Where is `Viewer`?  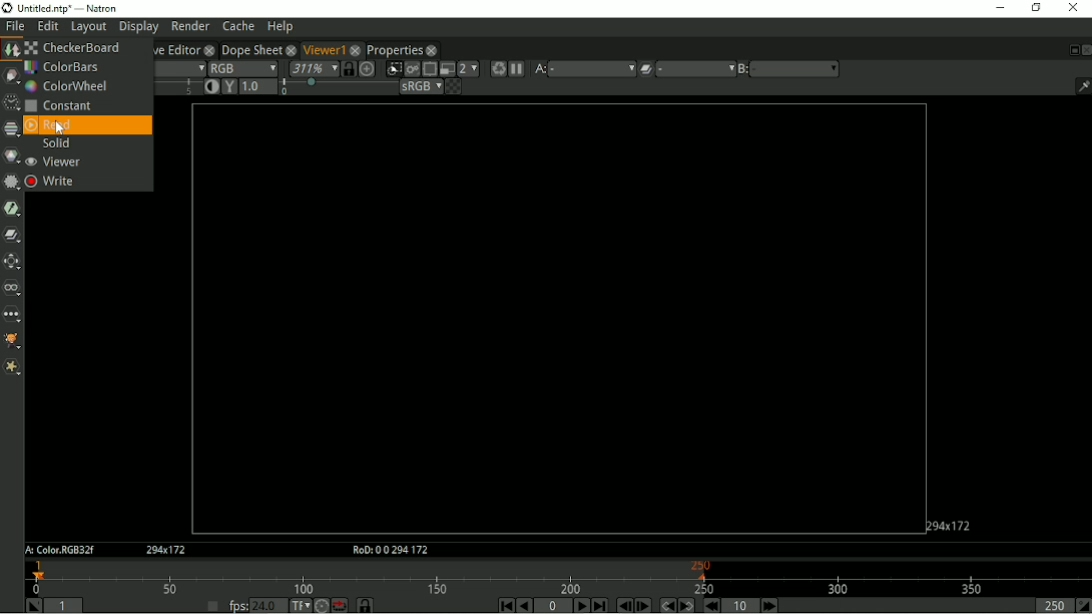
Viewer is located at coordinates (55, 163).